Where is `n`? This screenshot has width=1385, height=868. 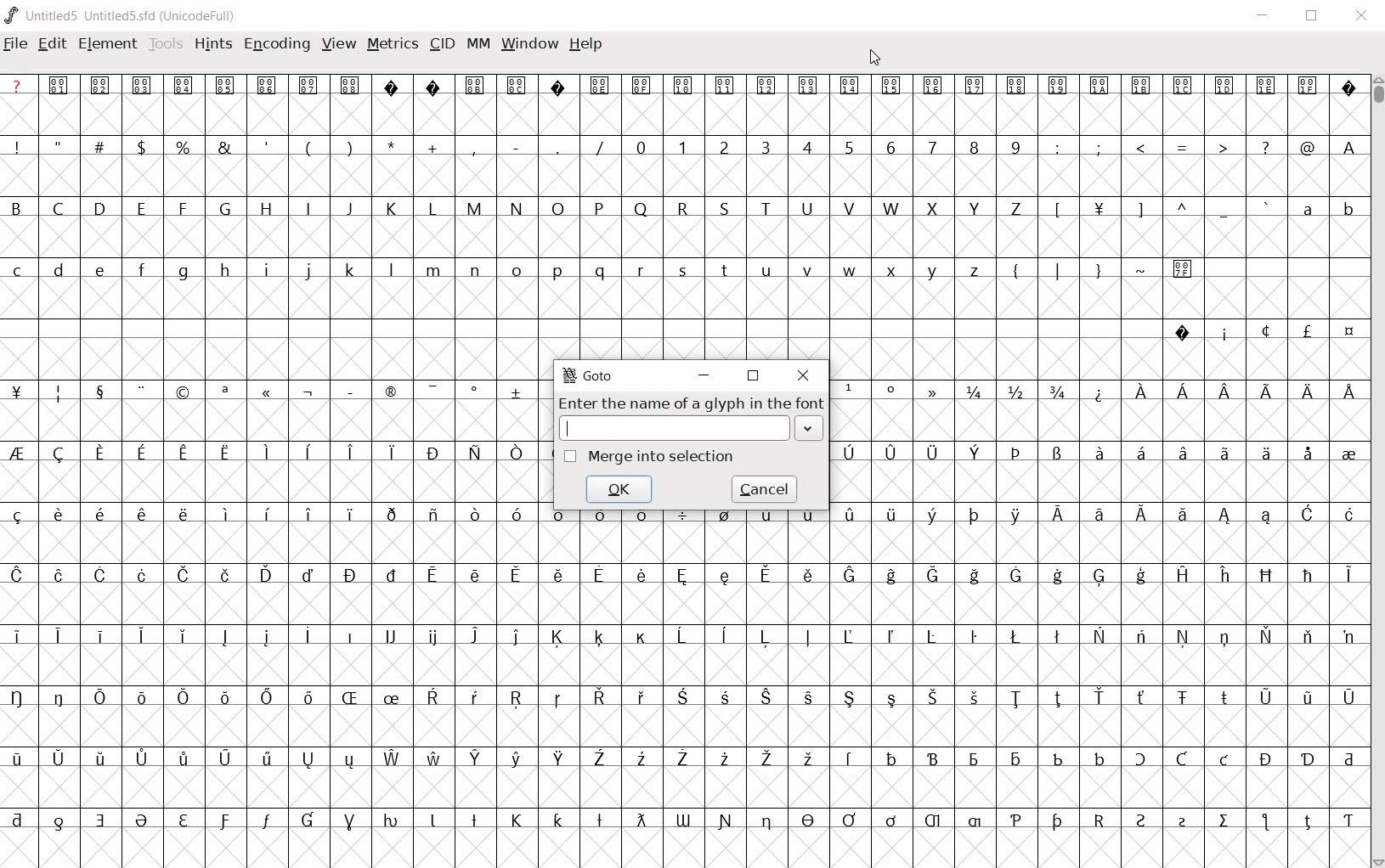
n is located at coordinates (476, 272).